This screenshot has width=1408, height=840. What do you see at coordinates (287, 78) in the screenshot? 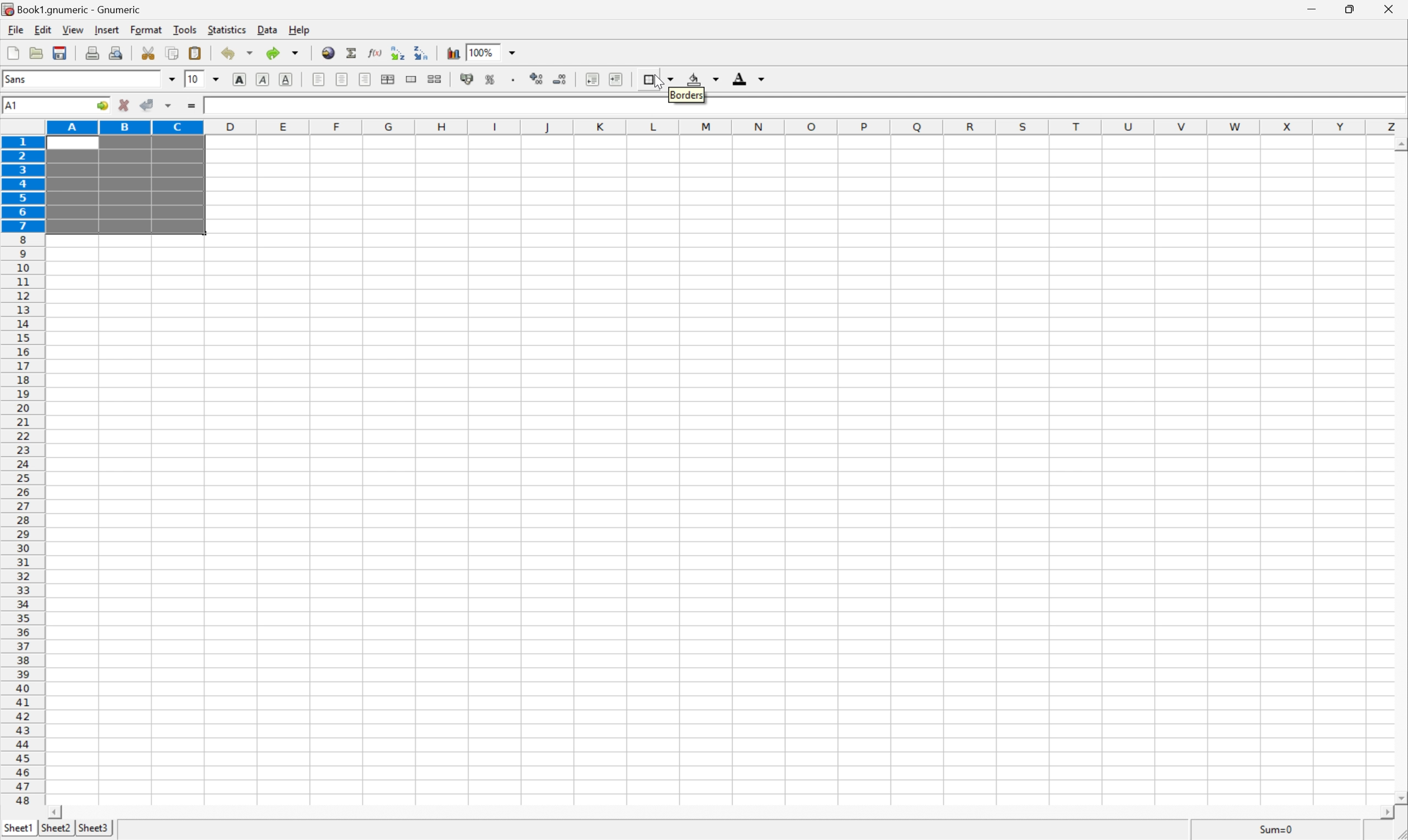
I see `underline` at bounding box center [287, 78].